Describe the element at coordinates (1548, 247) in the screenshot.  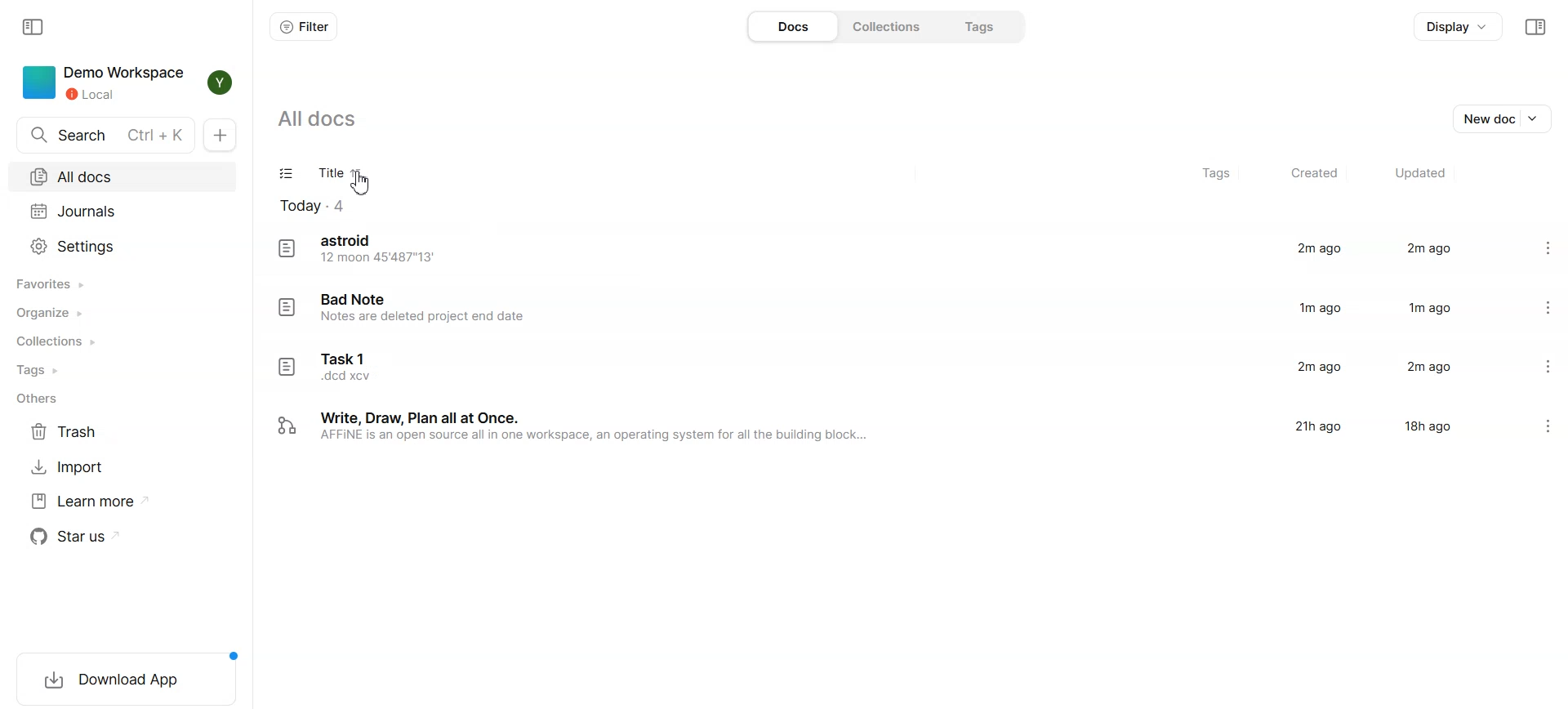
I see `Settings` at that location.